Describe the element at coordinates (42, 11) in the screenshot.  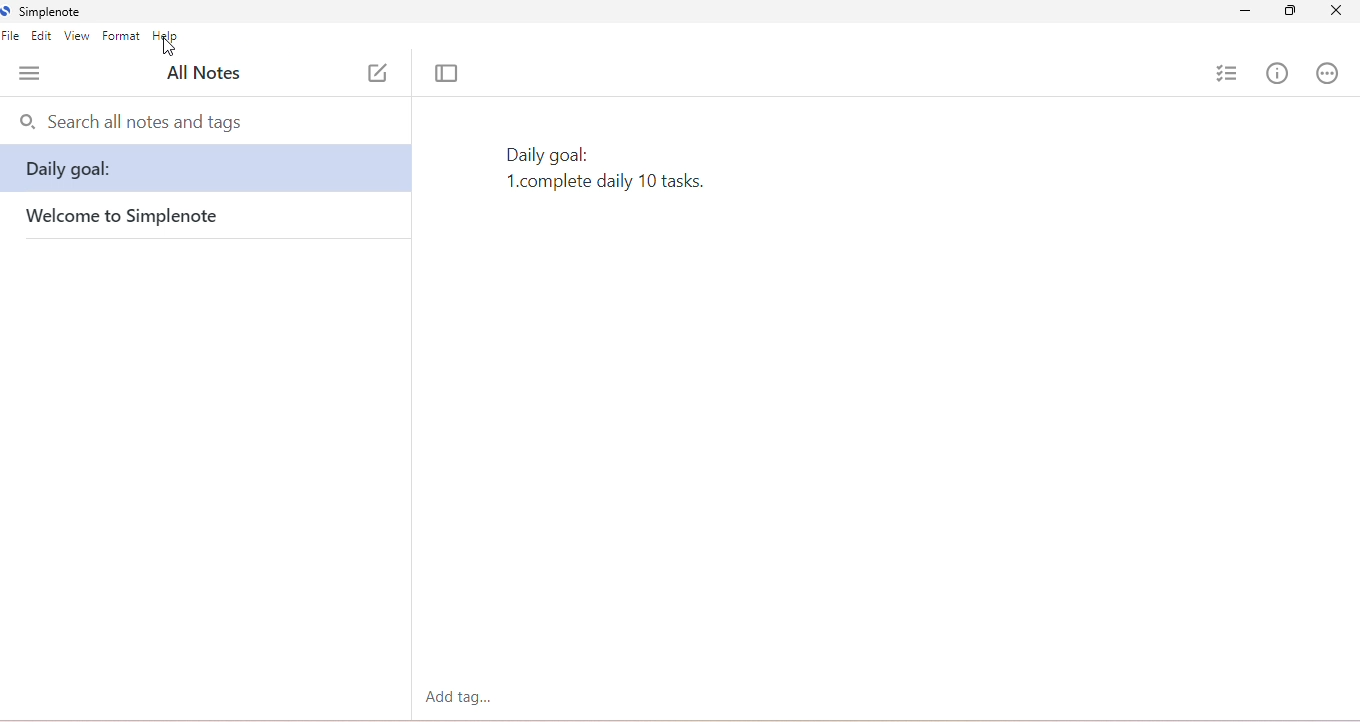
I see `simplenote` at that location.